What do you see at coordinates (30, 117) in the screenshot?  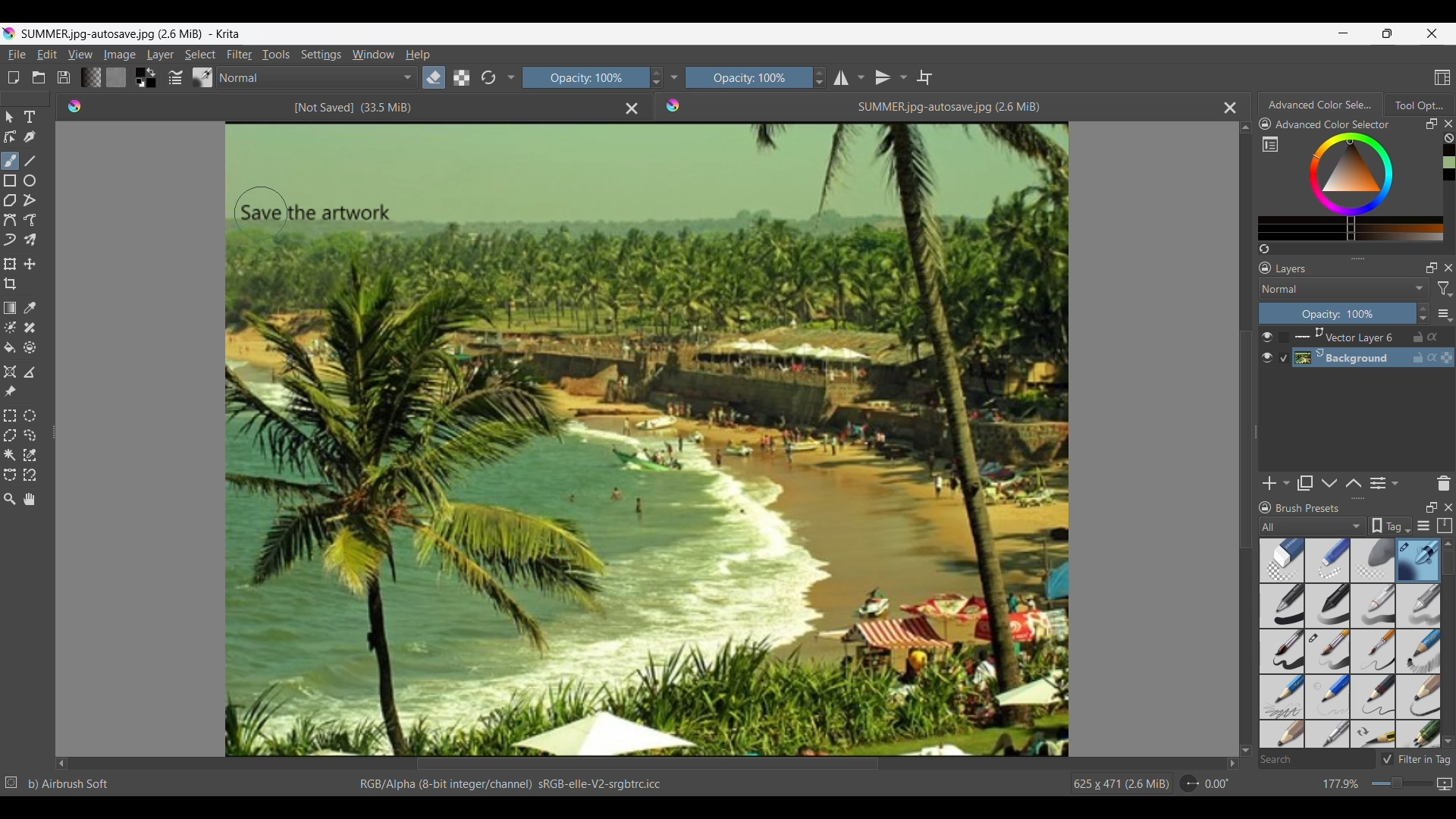 I see `Type tool` at bounding box center [30, 117].